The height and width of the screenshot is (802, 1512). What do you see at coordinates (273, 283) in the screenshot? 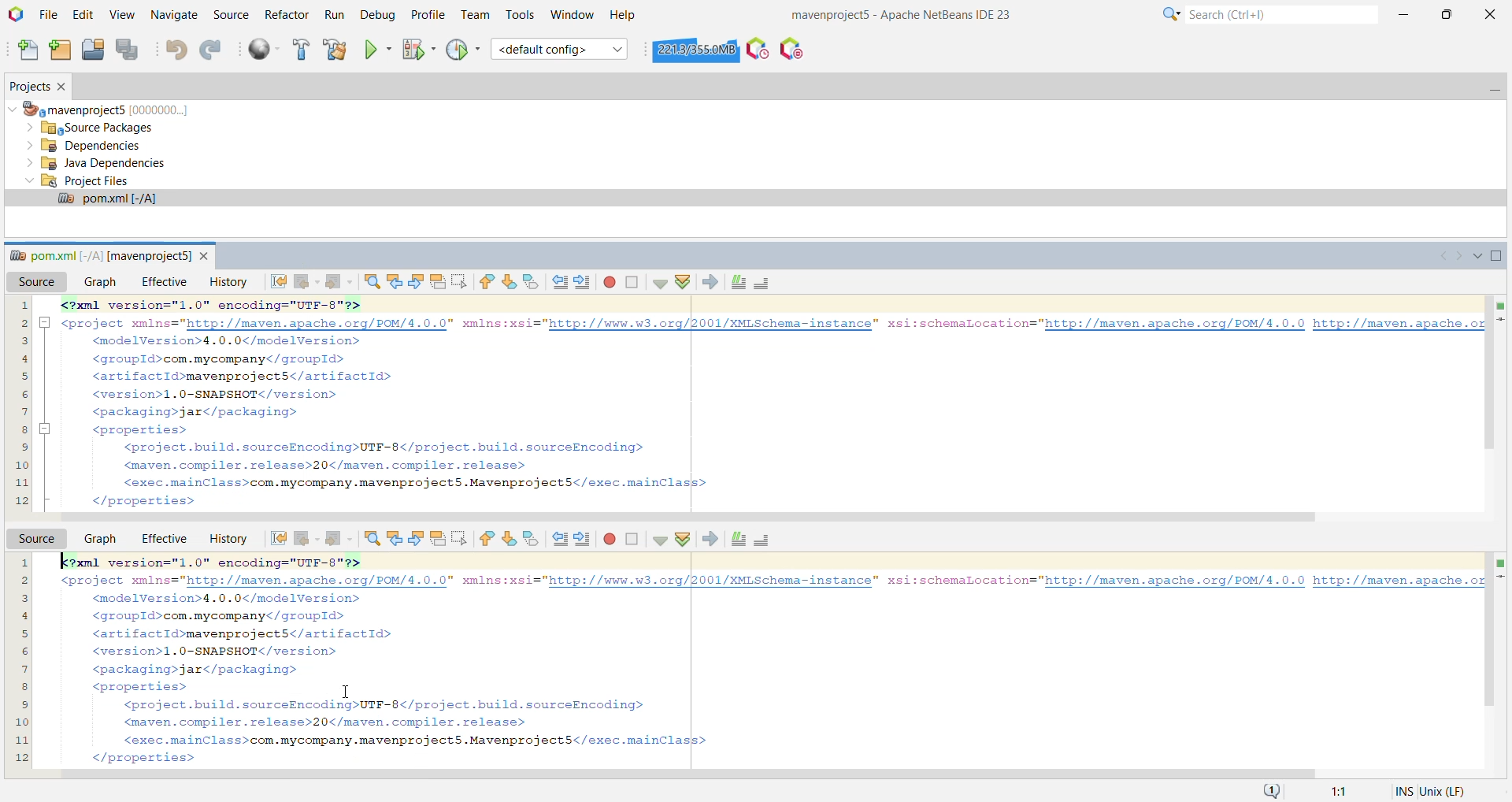
I see `Last edit` at bounding box center [273, 283].